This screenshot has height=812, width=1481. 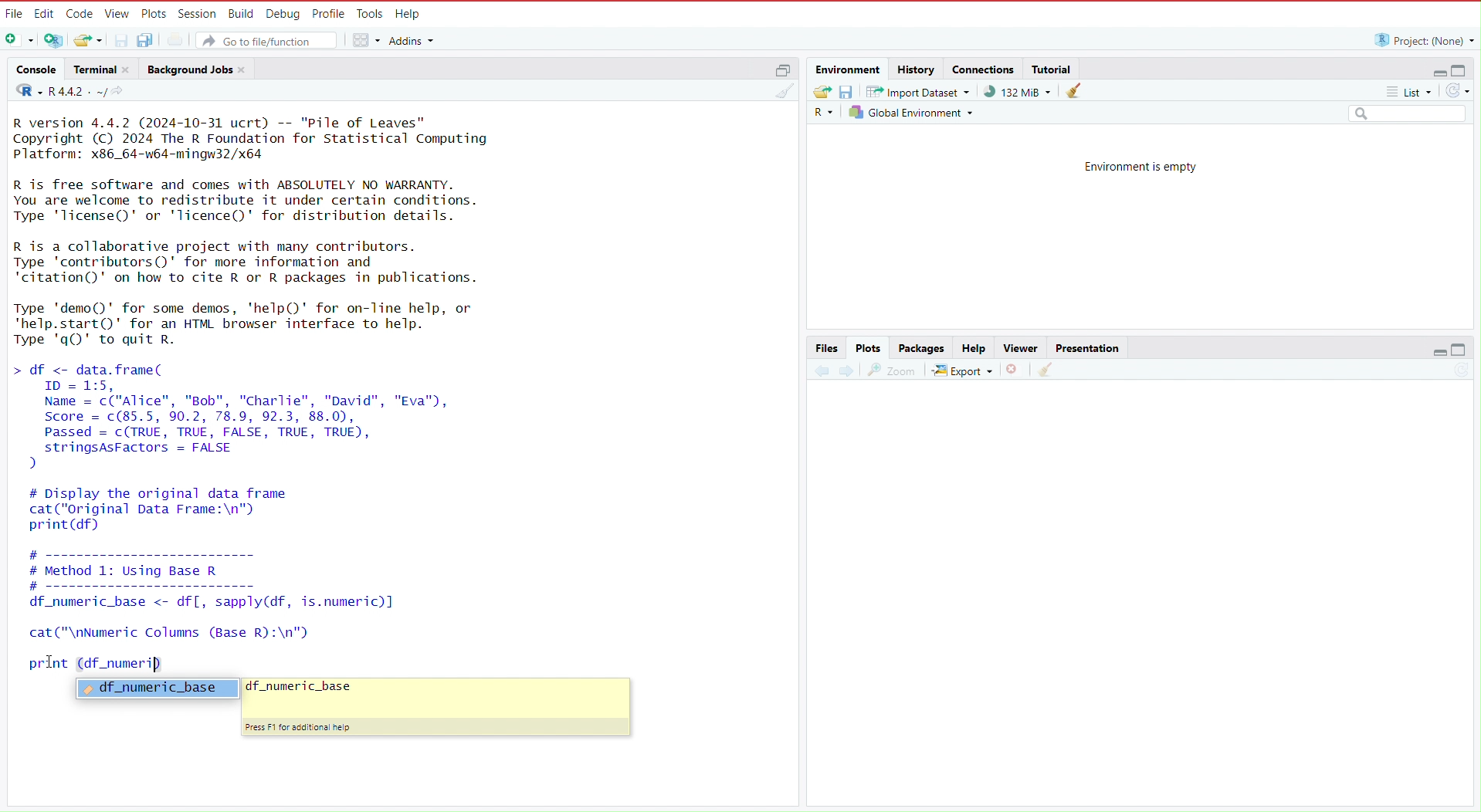 I want to click on session, so click(x=197, y=12).